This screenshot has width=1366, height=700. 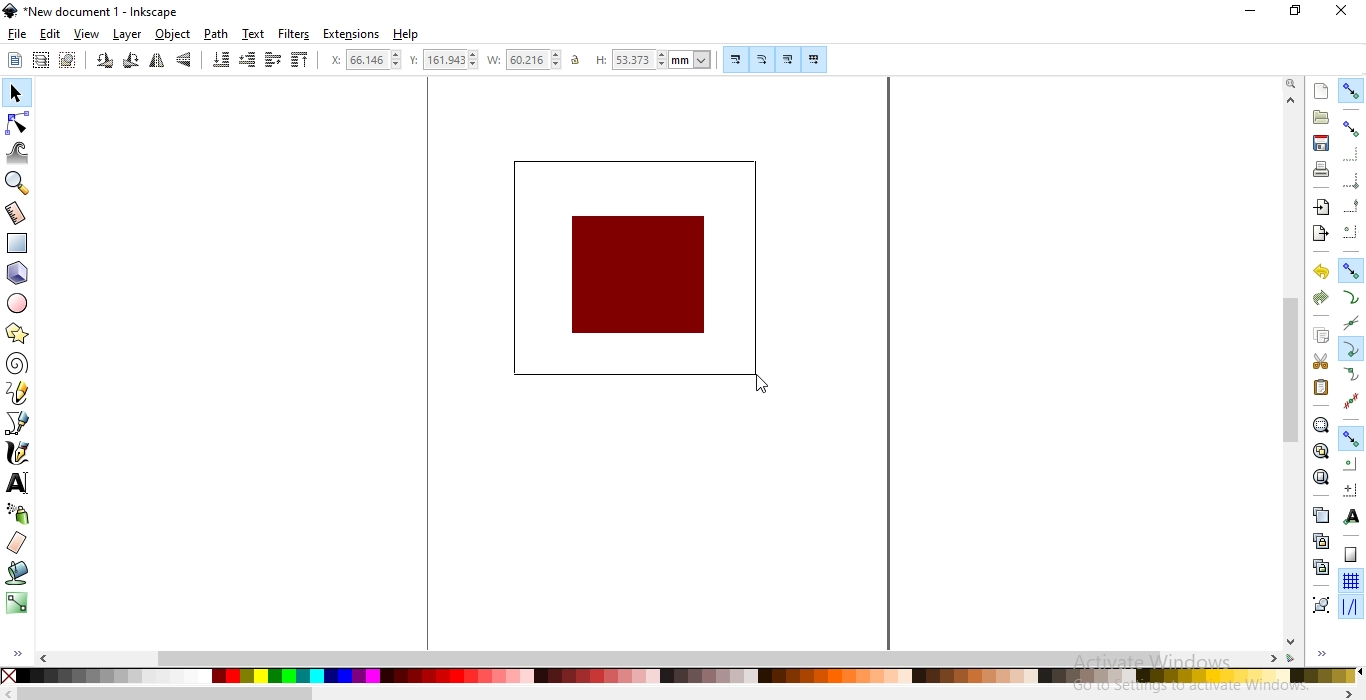 What do you see at coordinates (636, 60) in the screenshot?
I see `53.373` at bounding box center [636, 60].